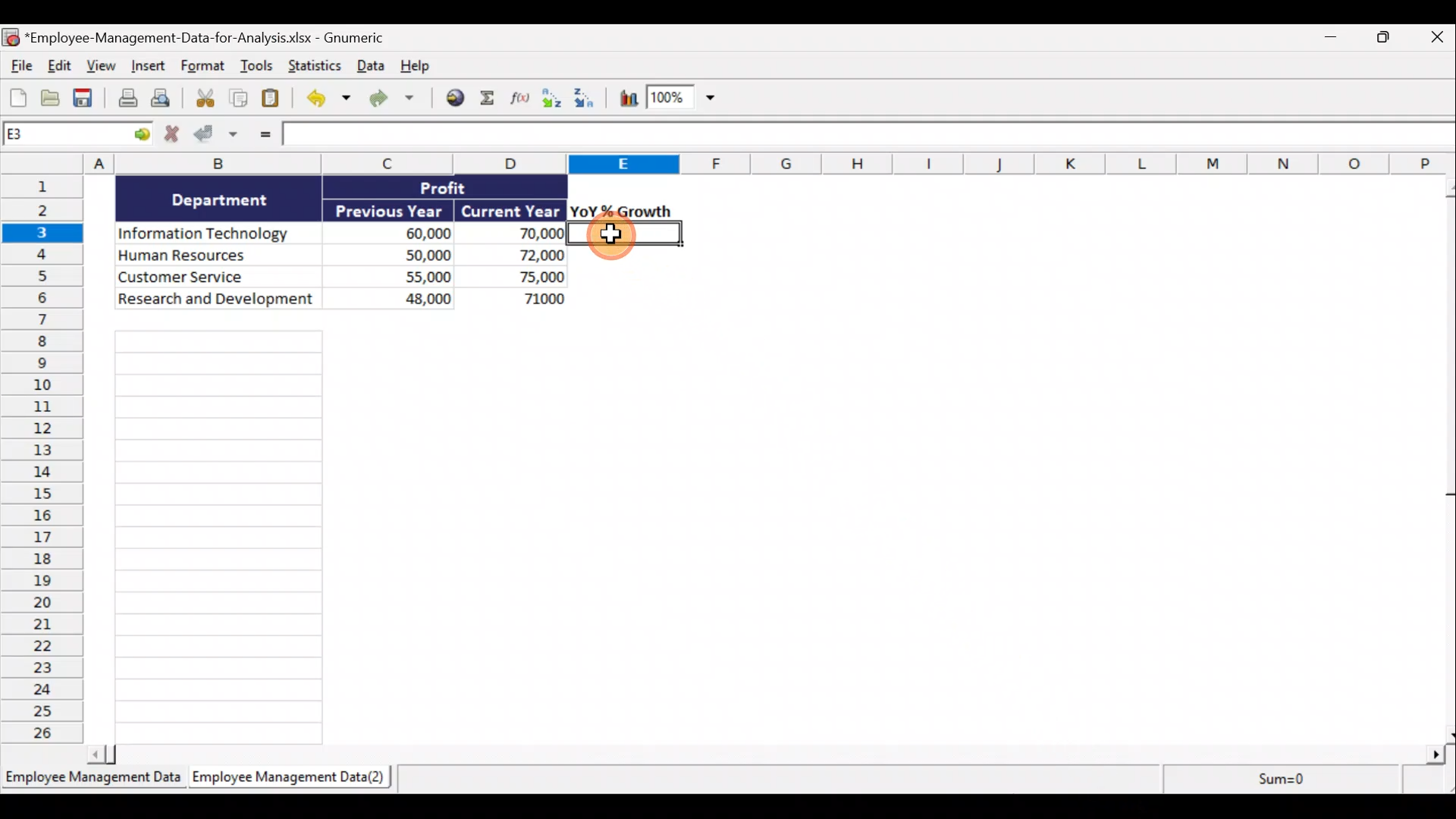  What do you see at coordinates (1447, 460) in the screenshot?
I see `Scroll bar` at bounding box center [1447, 460].